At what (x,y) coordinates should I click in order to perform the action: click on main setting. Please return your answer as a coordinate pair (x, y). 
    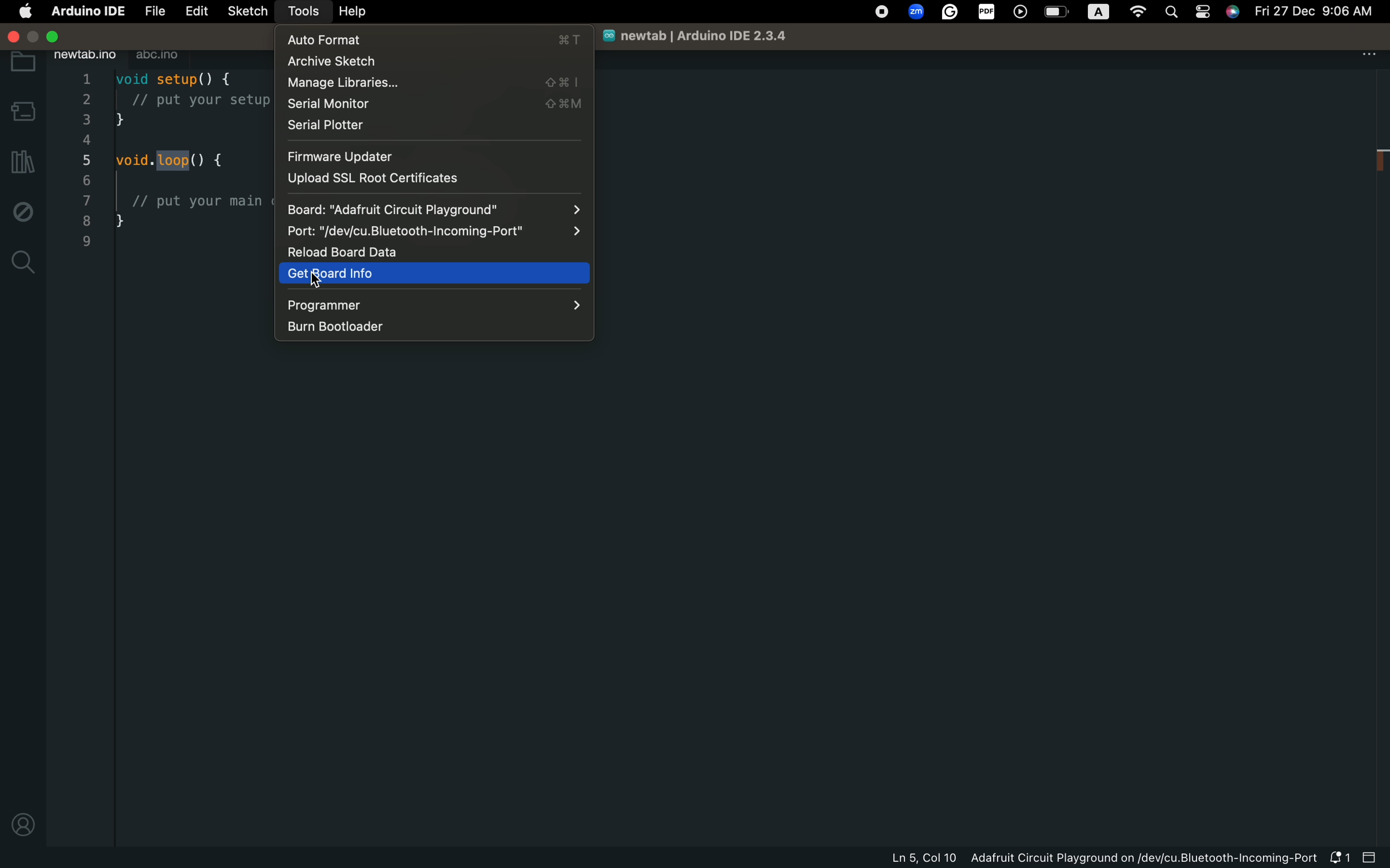
    Looking at the image, I should click on (22, 10).